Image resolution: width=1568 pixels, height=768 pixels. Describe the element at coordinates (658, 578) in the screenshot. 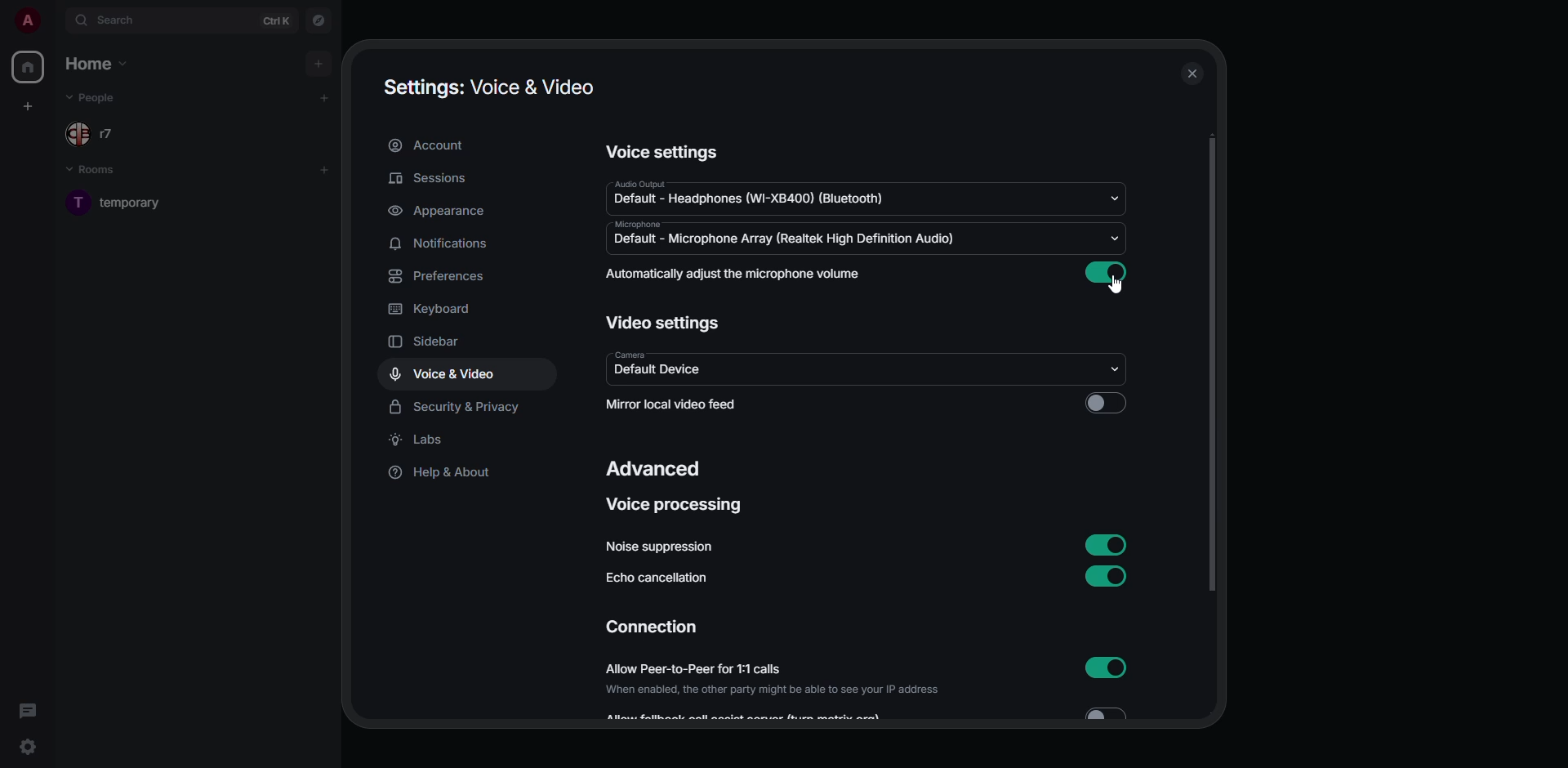

I see `echo cancellation` at that location.